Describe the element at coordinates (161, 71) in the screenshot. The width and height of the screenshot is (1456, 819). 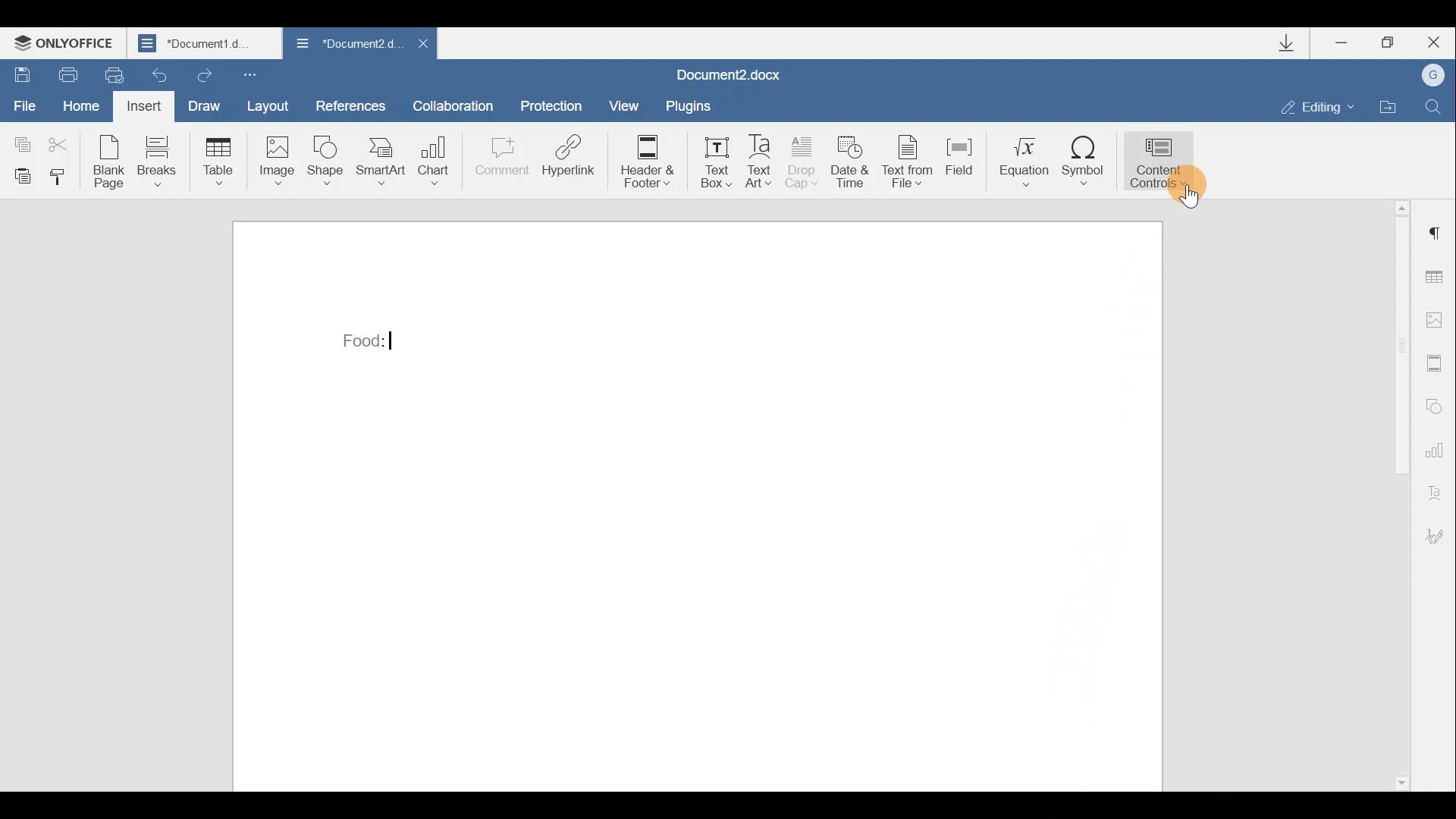
I see `Undo` at that location.